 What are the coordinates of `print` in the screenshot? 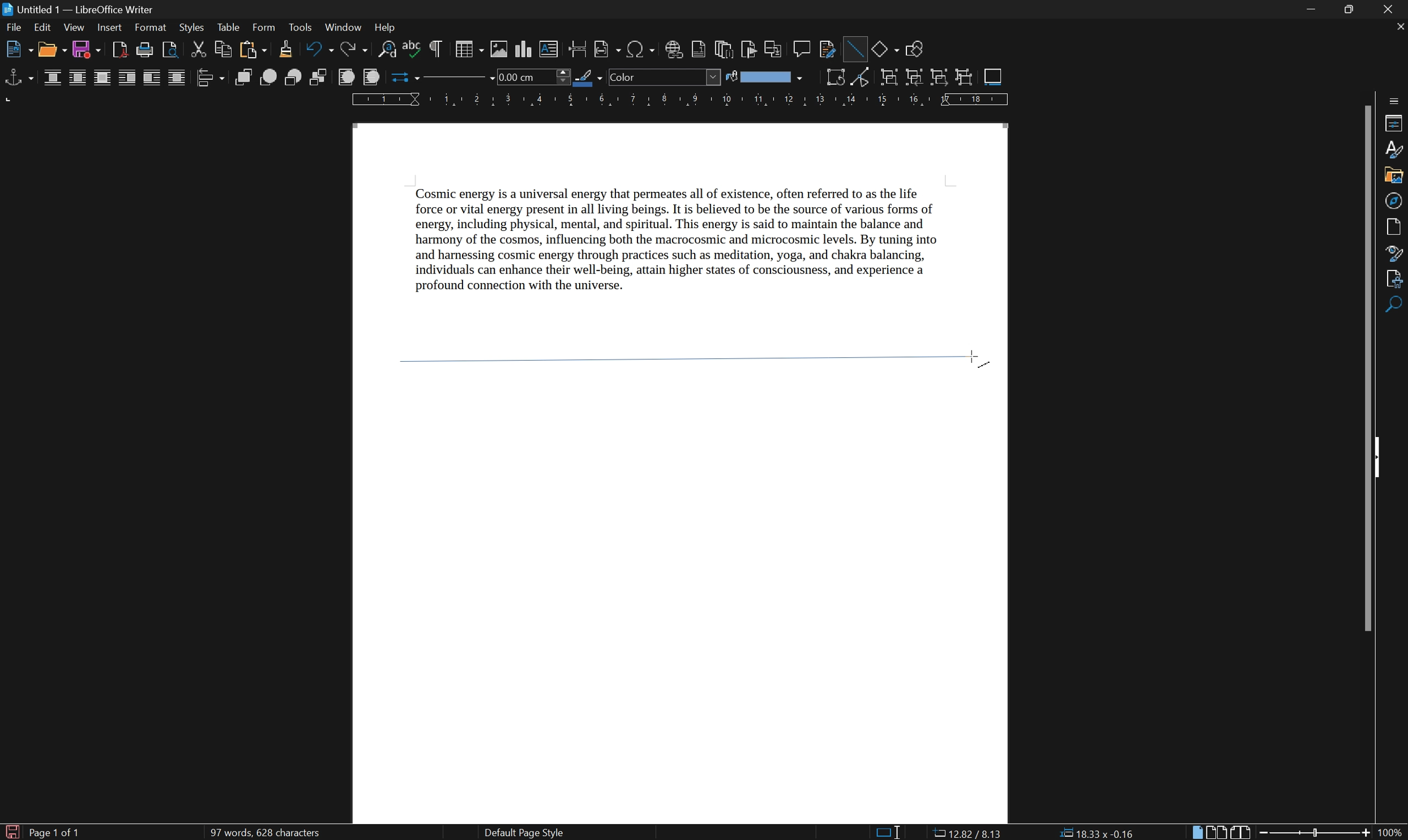 It's located at (144, 50).